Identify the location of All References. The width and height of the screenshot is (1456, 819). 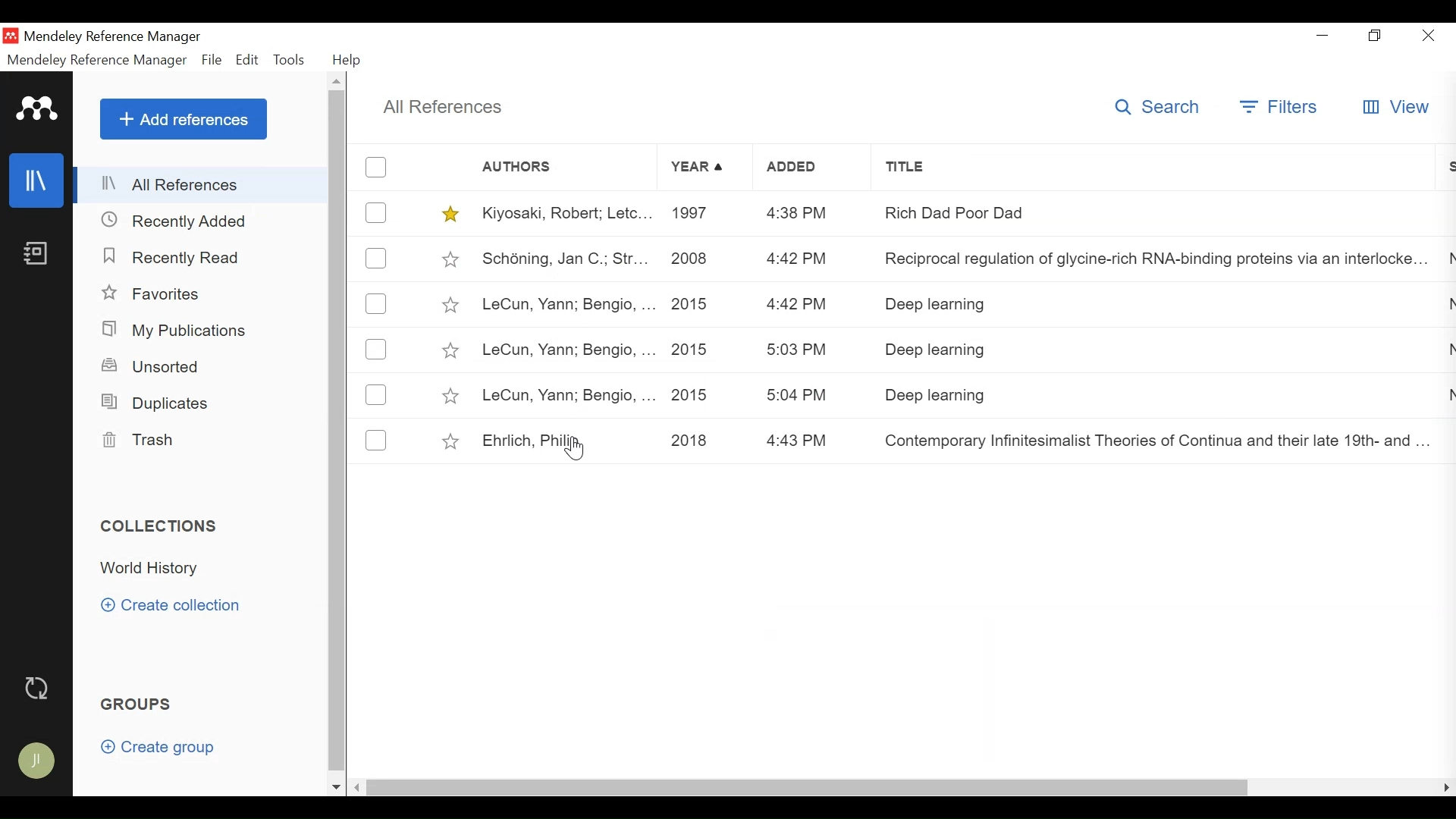
(438, 106).